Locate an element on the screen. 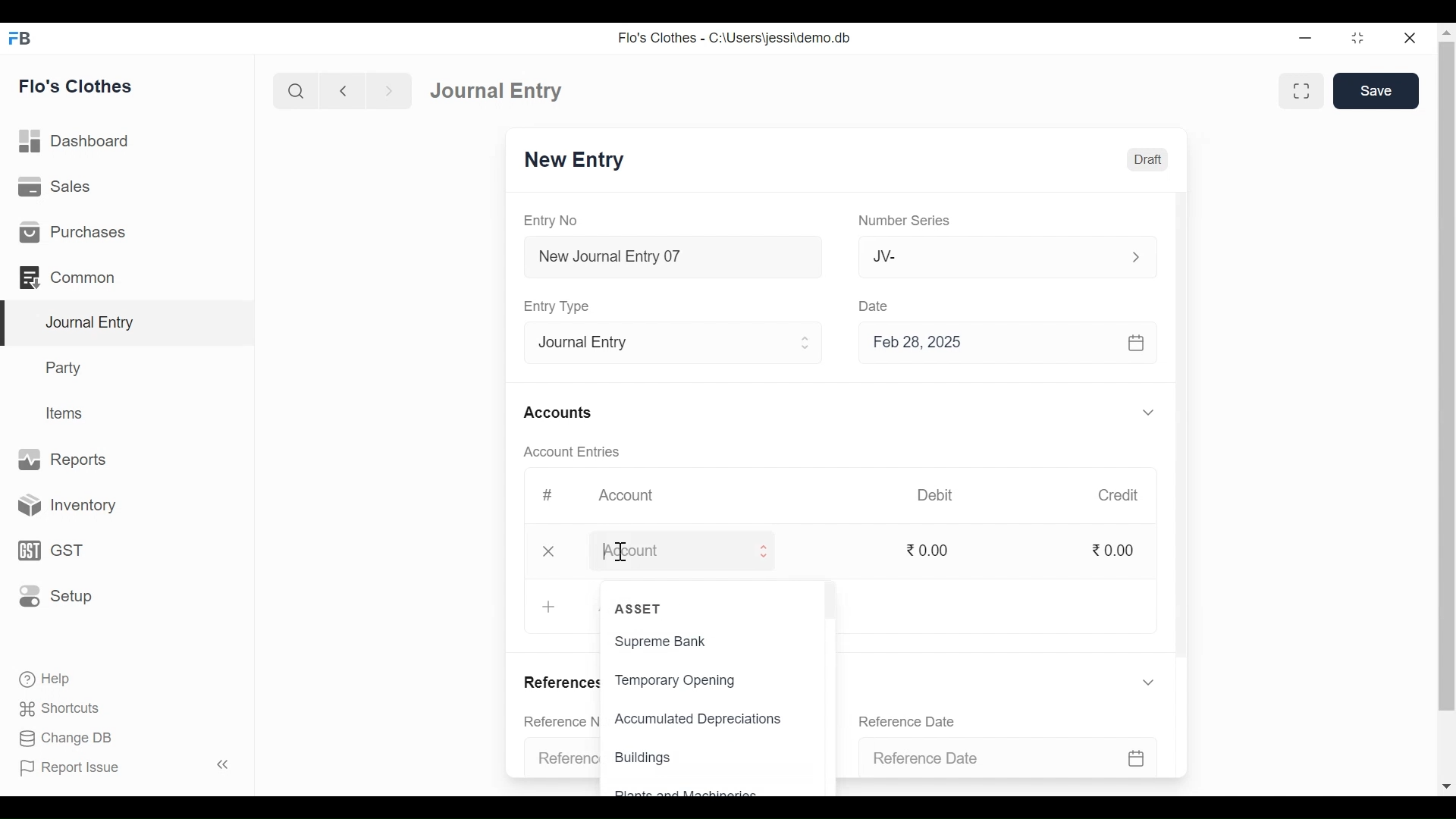 The image size is (1456, 819). Text Cursor is located at coordinates (621, 553).